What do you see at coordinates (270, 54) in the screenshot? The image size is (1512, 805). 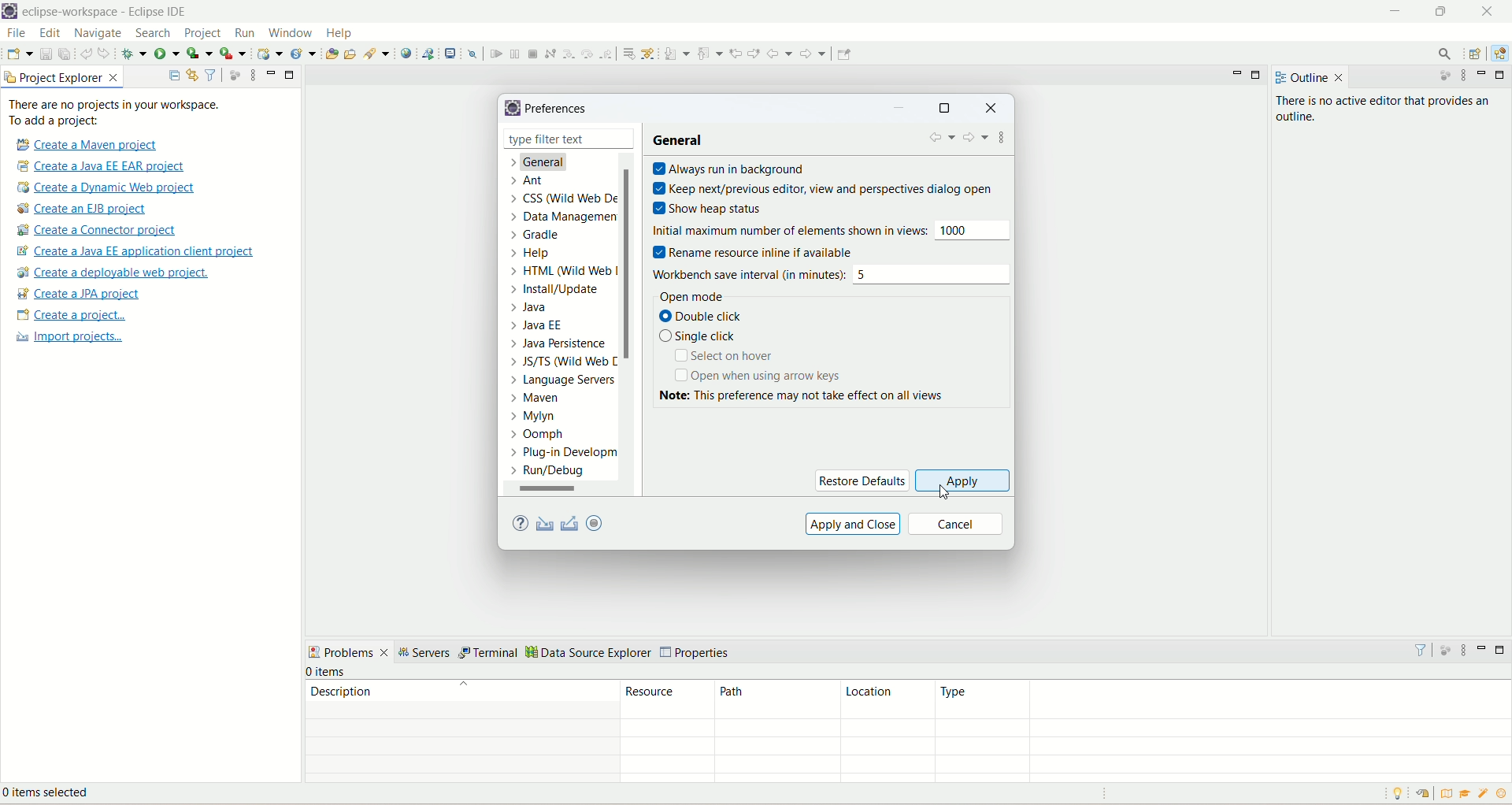 I see `create a dynamic web project` at bounding box center [270, 54].